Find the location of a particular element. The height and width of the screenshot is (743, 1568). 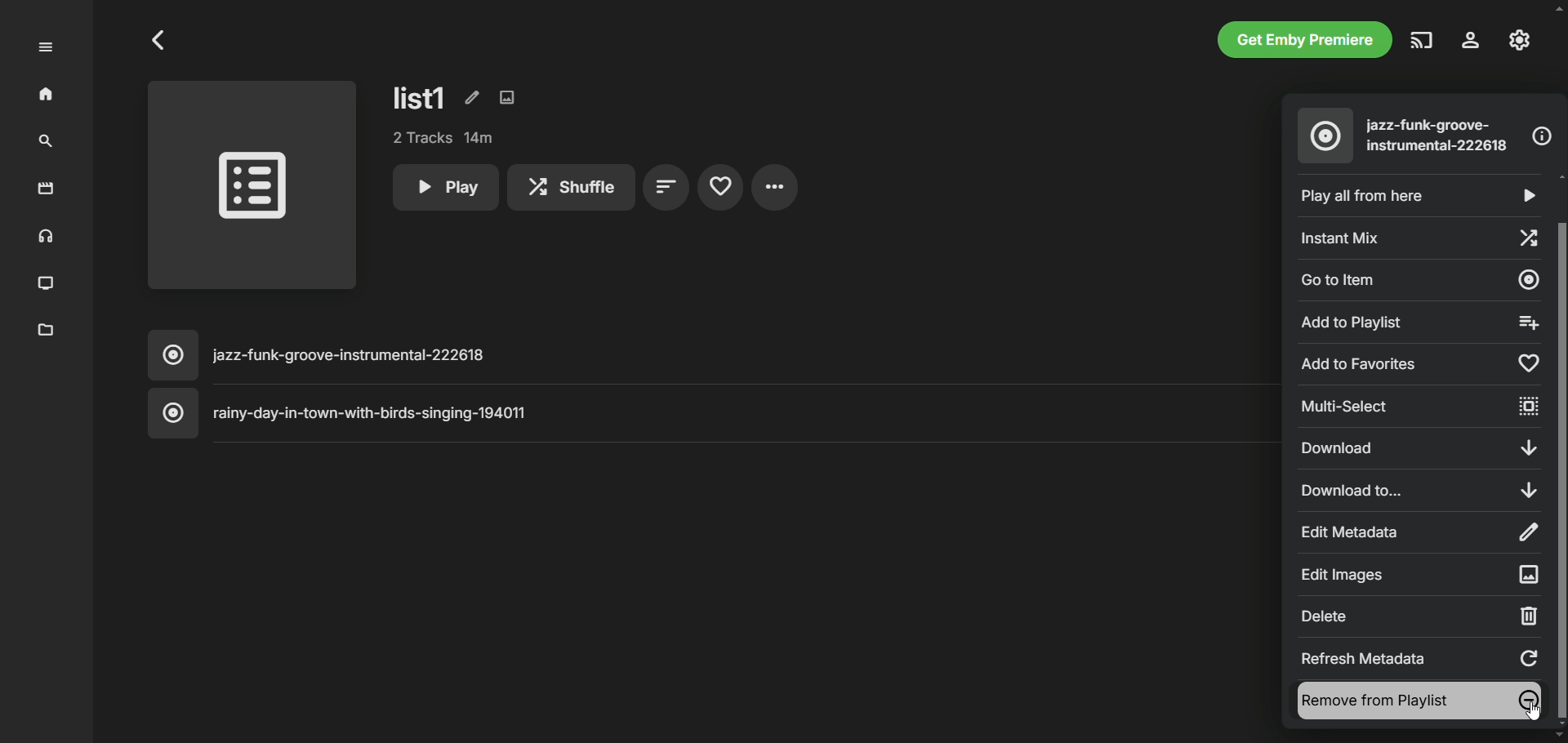

playlist is located at coordinates (253, 189).